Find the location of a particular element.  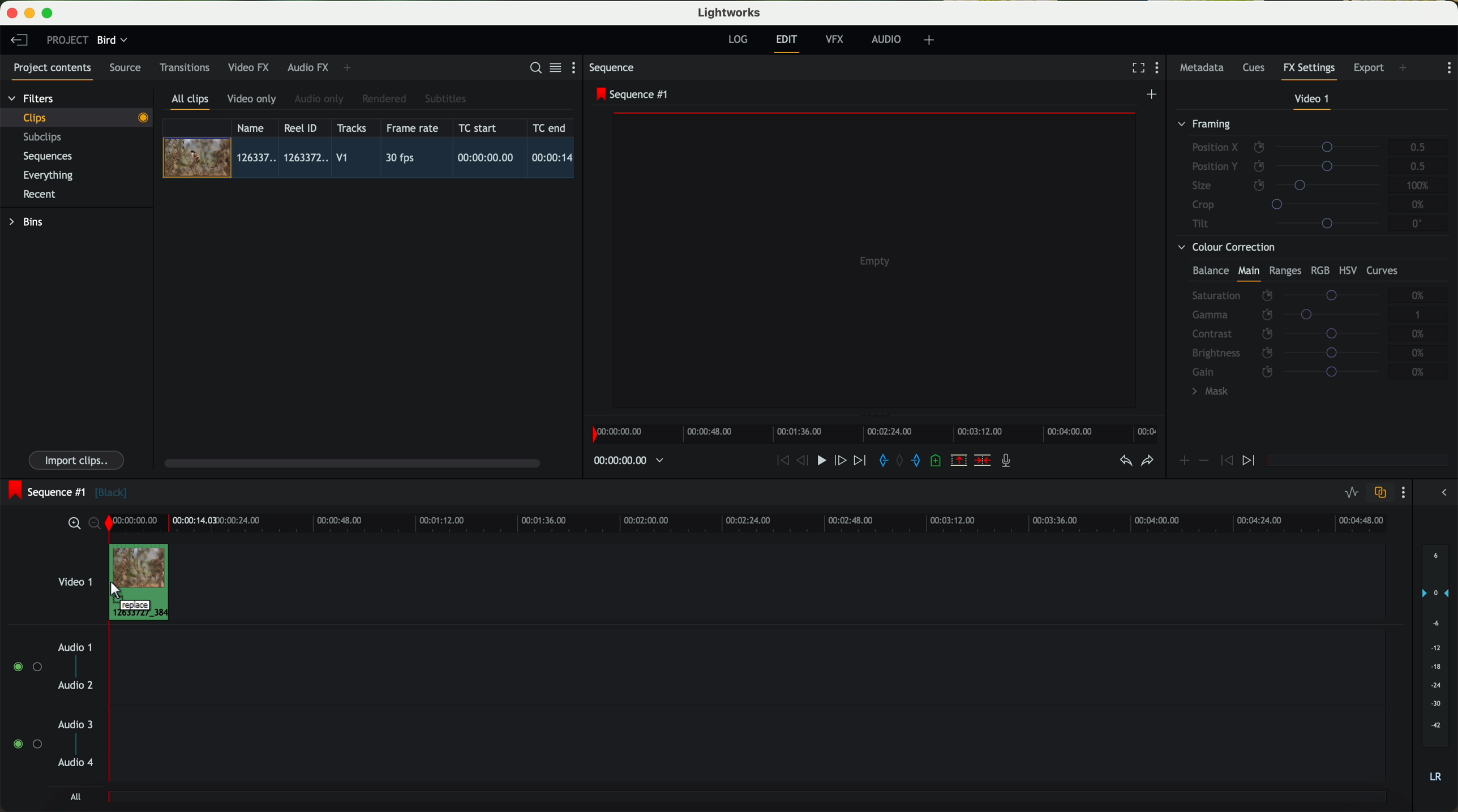

source is located at coordinates (125, 68).